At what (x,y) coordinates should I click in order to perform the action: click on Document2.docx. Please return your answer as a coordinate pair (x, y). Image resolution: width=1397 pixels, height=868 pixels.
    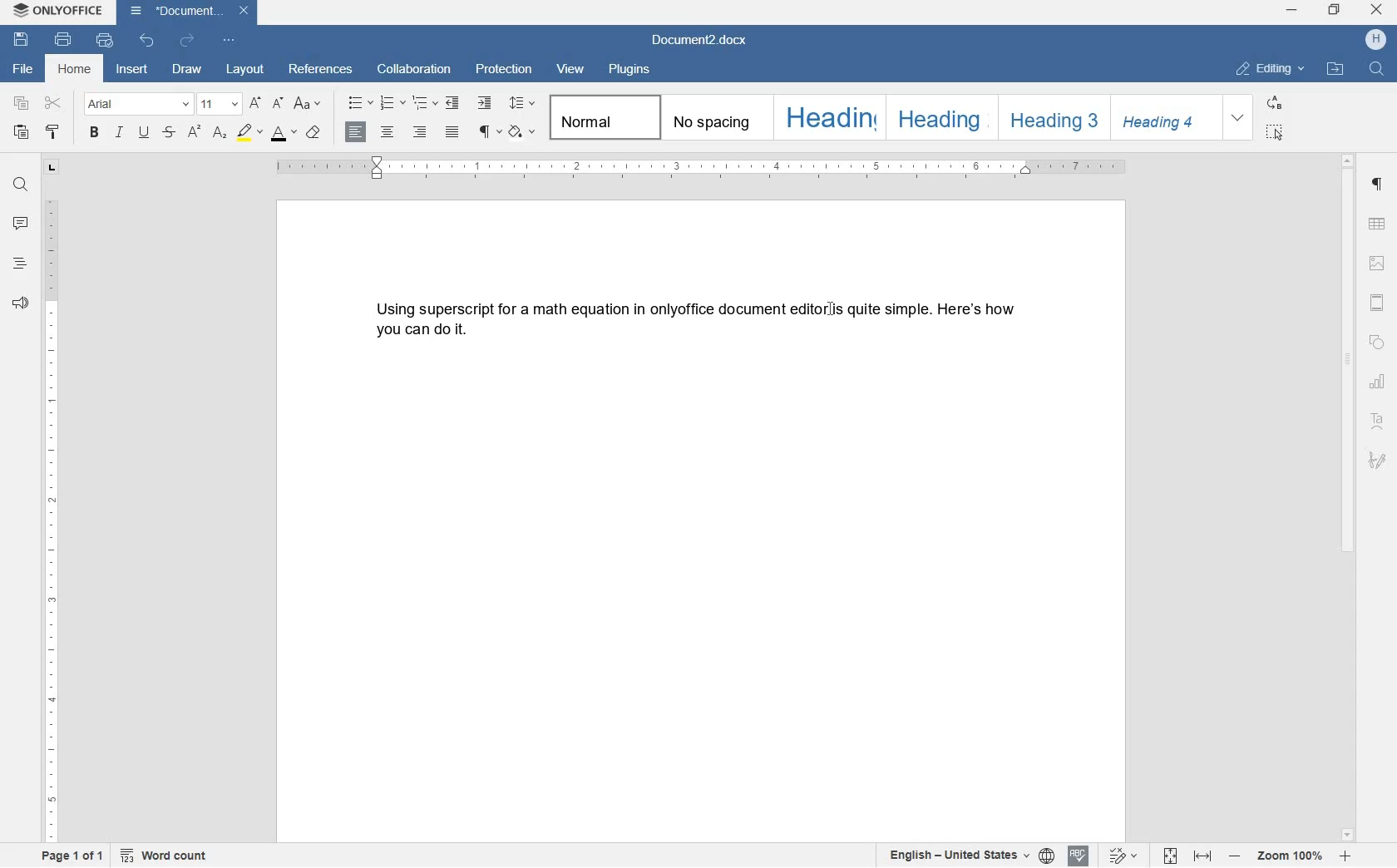
    Looking at the image, I should click on (190, 12).